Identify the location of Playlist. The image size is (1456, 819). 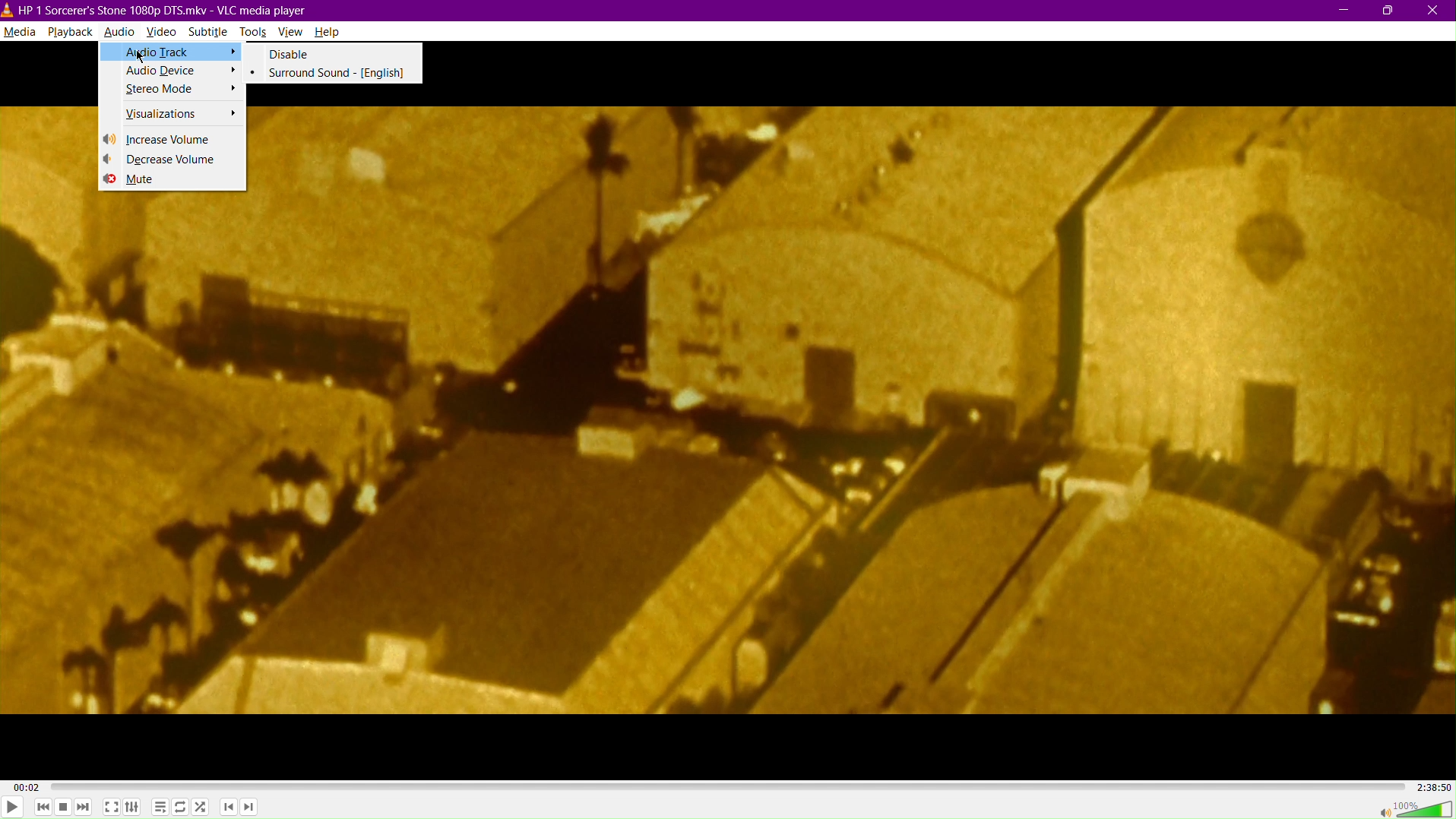
(158, 808).